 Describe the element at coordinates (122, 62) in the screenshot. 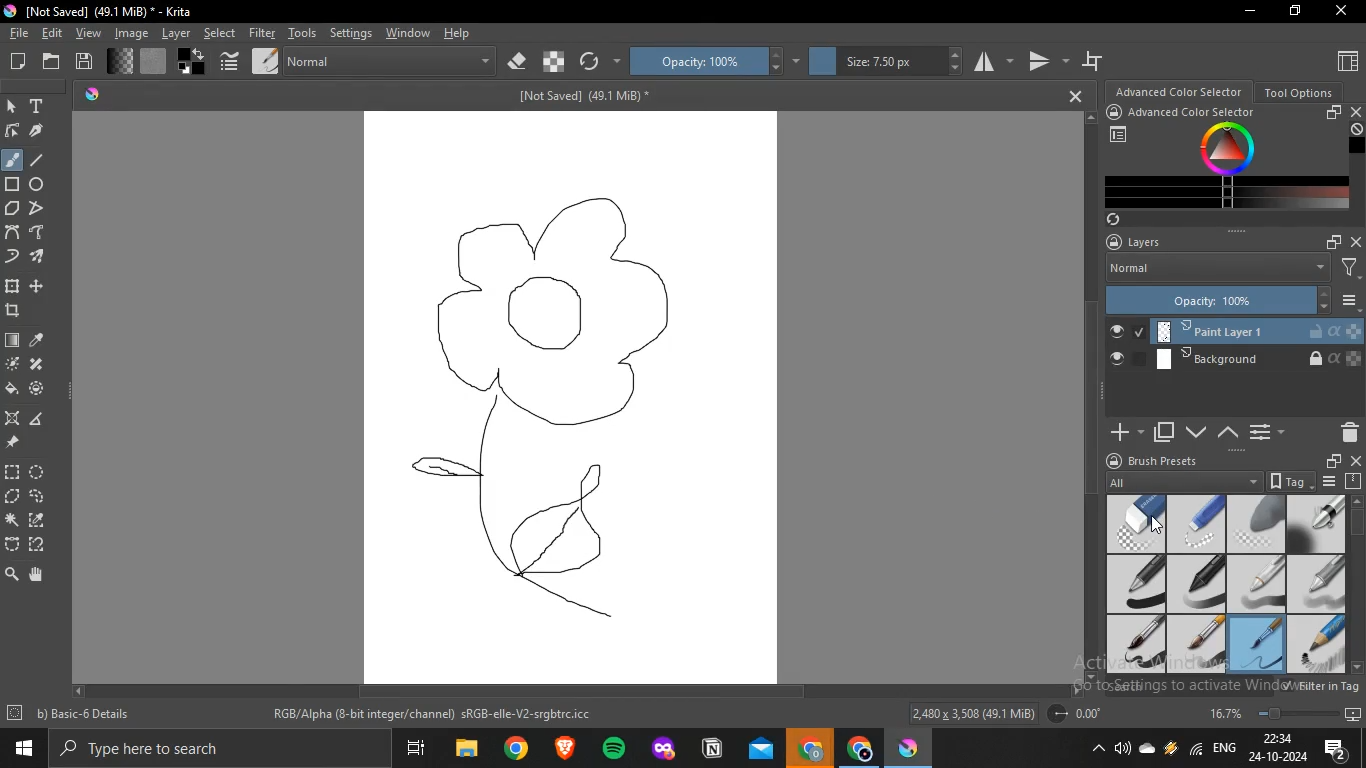

I see `fill gradients` at that location.